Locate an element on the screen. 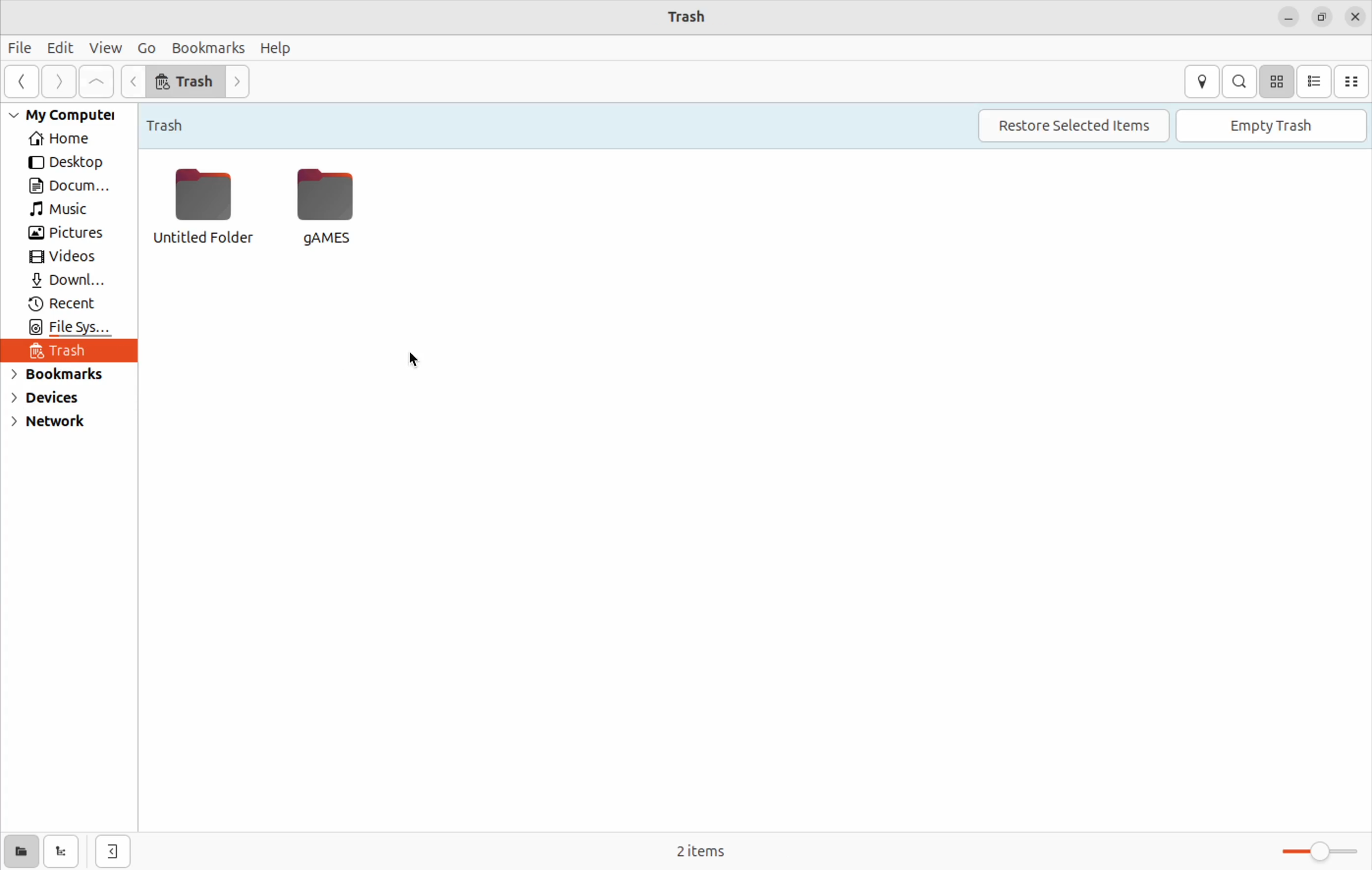  close sidebar is located at coordinates (119, 847).